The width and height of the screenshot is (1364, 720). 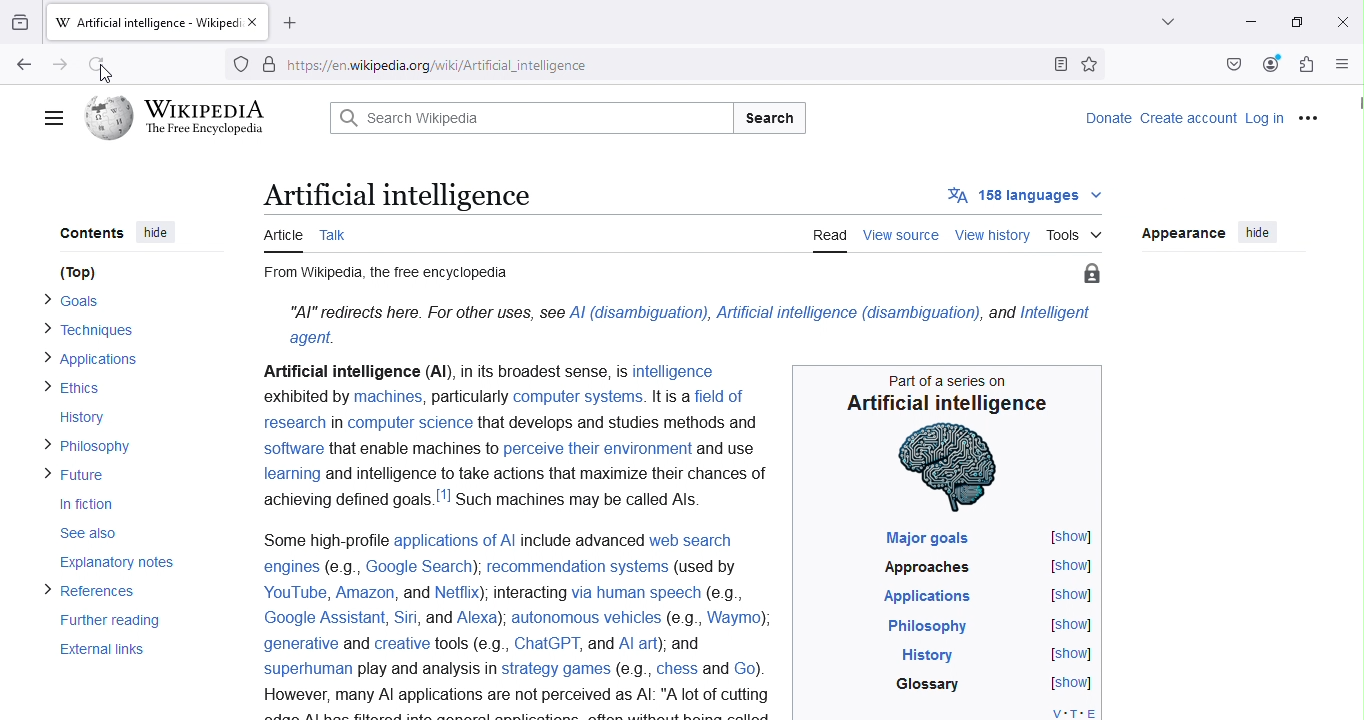 What do you see at coordinates (1190, 118) in the screenshot?
I see `Create account` at bounding box center [1190, 118].